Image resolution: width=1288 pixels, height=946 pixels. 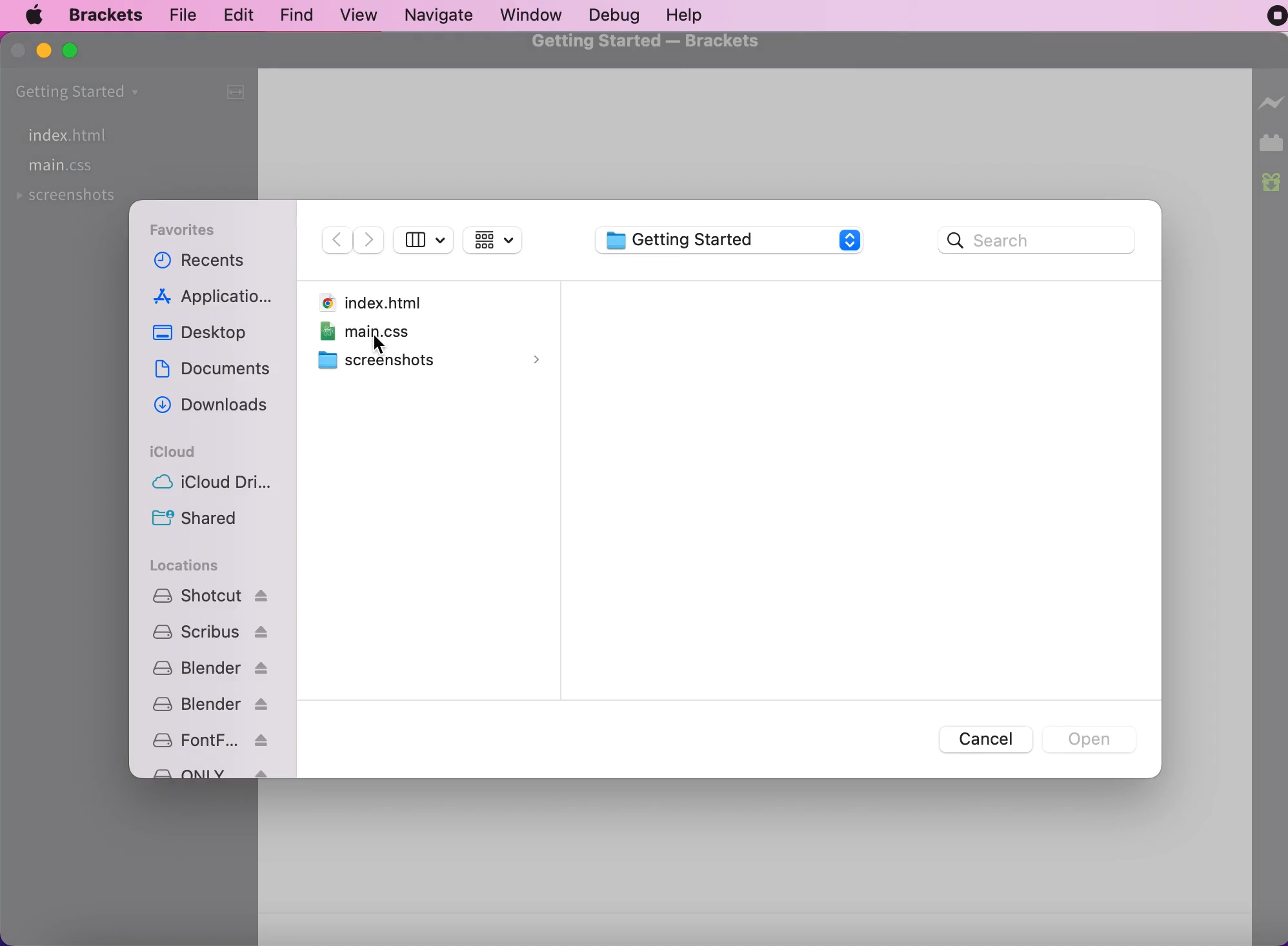 I want to click on maximize, so click(x=77, y=55).